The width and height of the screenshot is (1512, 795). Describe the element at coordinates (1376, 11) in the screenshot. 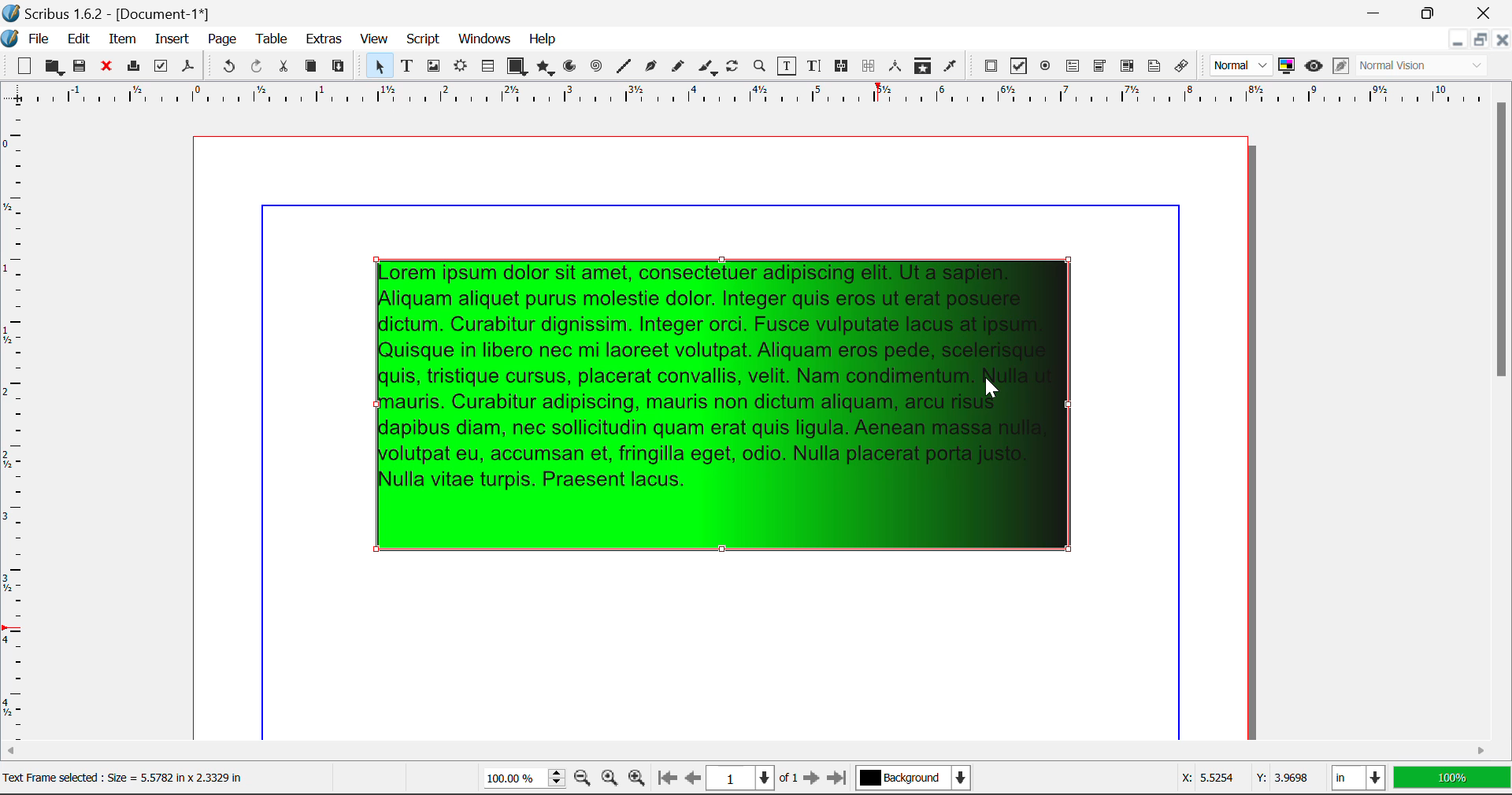

I see `Restore Down` at that location.